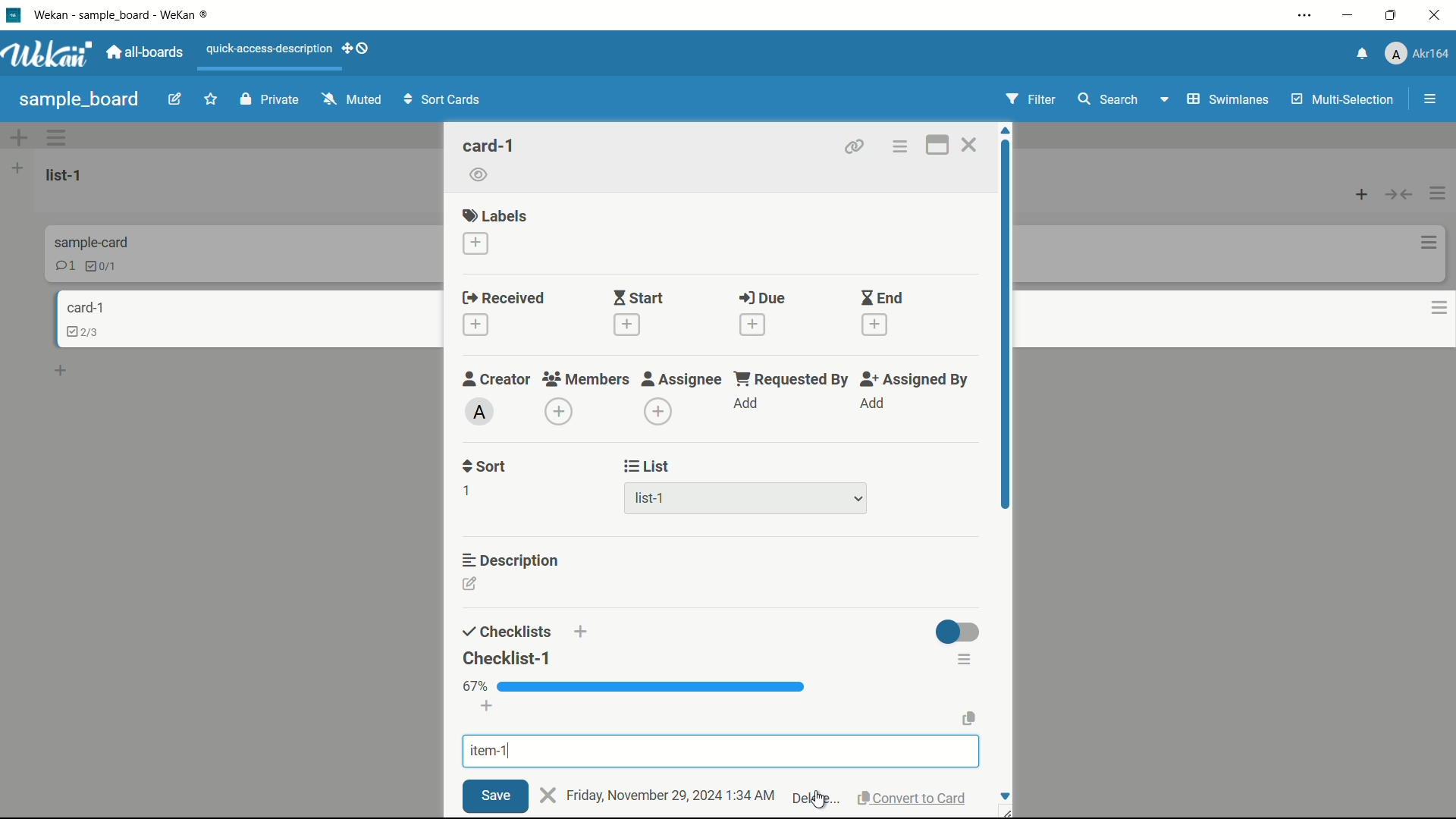 This screenshot has width=1456, height=819. What do you see at coordinates (268, 99) in the screenshot?
I see `private` at bounding box center [268, 99].